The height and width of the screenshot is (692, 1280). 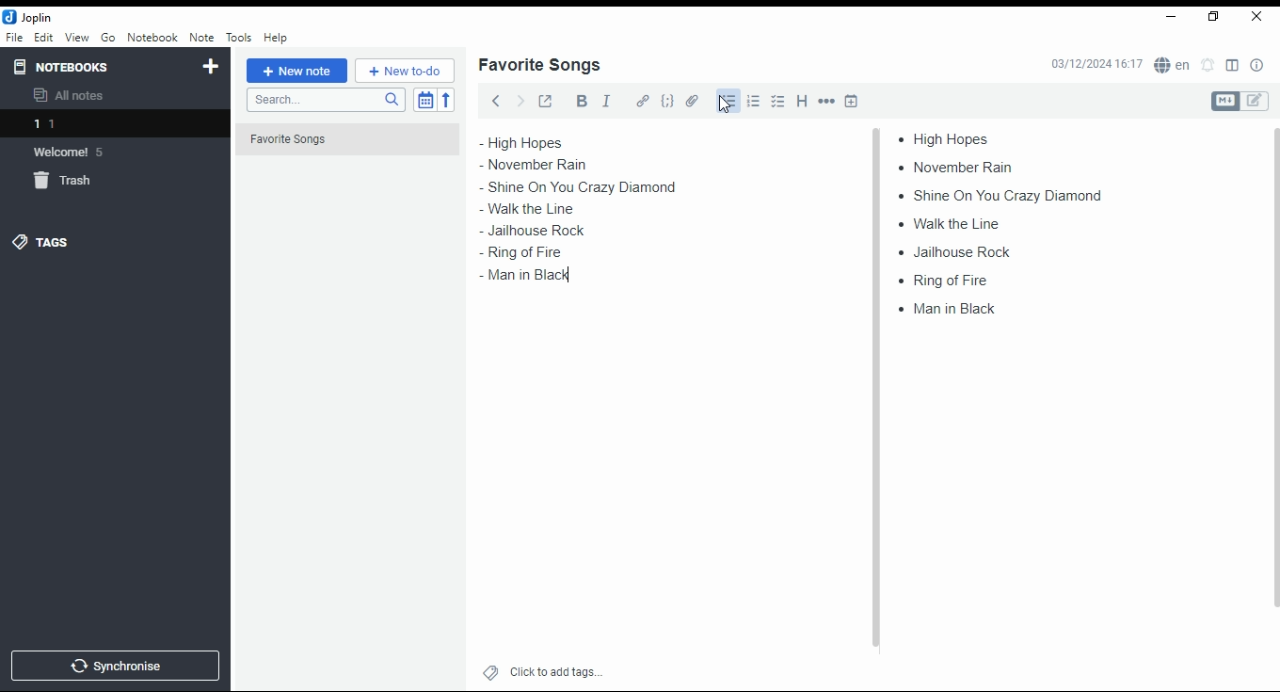 I want to click on shine on you crazy diamond, so click(x=993, y=194).